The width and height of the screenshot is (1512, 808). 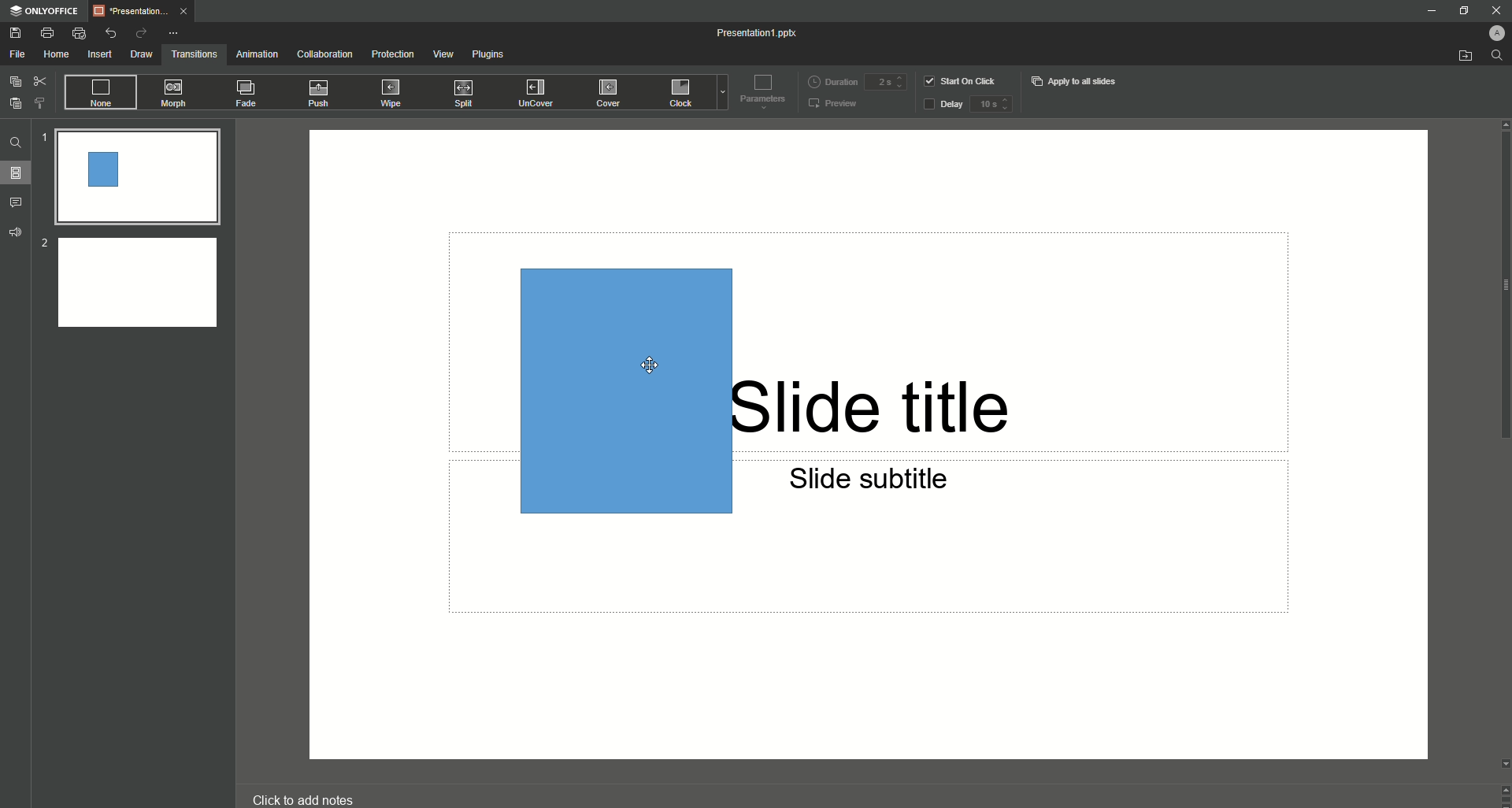 I want to click on Find, so click(x=14, y=142).